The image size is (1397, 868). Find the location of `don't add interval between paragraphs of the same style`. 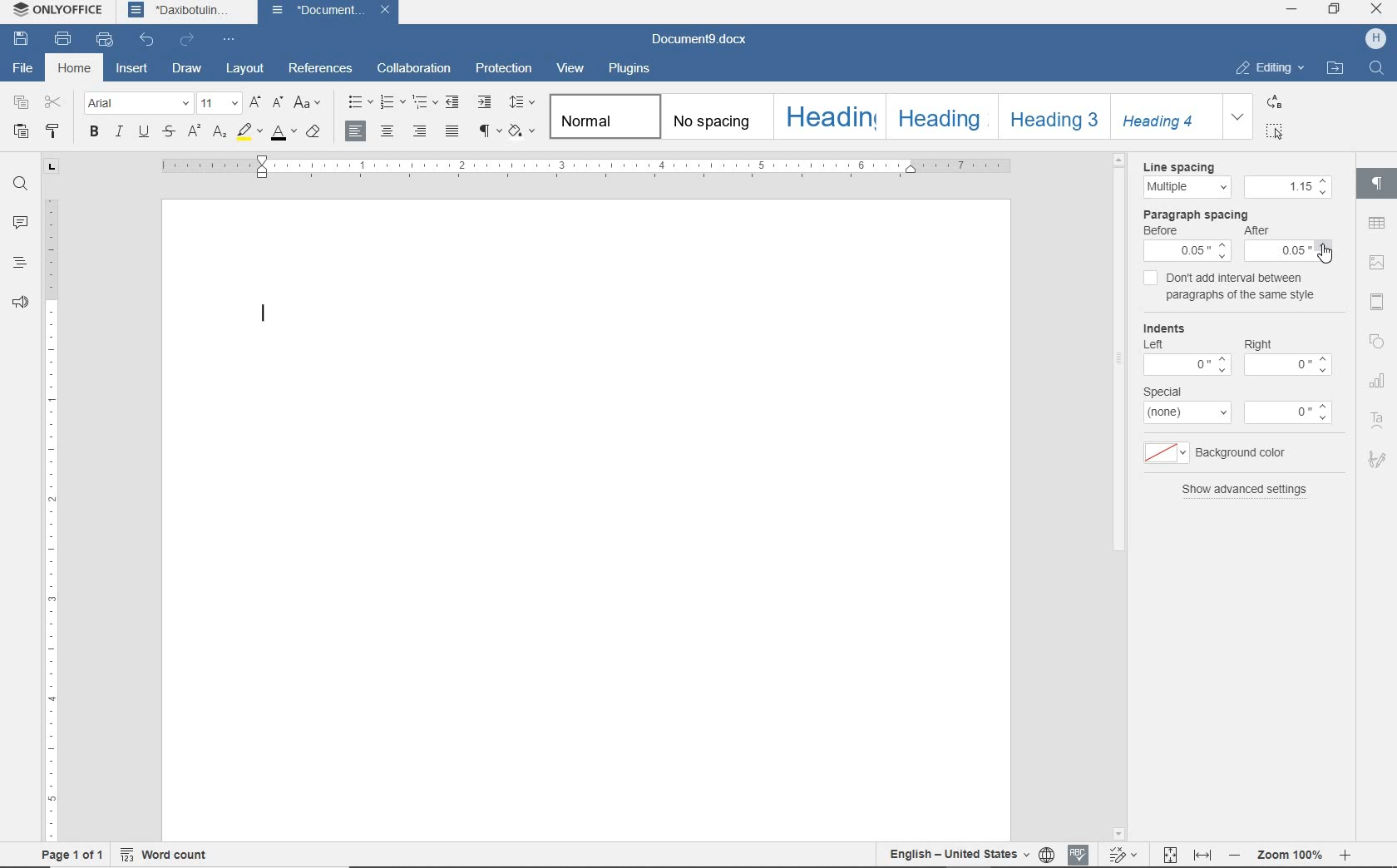

don't add interval between paragraphs of the same style is located at coordinates (1234, 284).